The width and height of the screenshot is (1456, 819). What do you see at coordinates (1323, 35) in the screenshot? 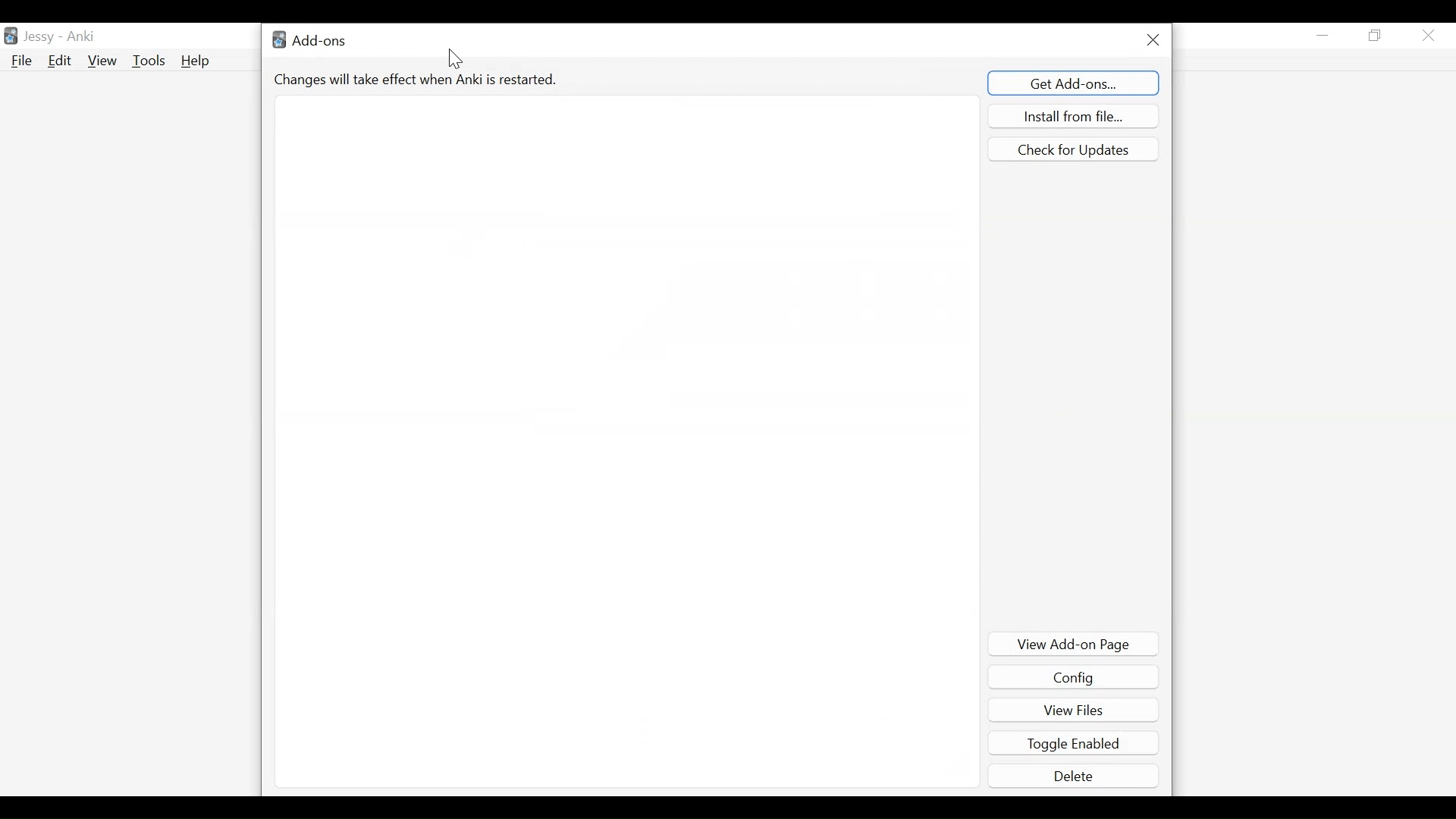
I see `minimize` at bounding box center [1323, 35].